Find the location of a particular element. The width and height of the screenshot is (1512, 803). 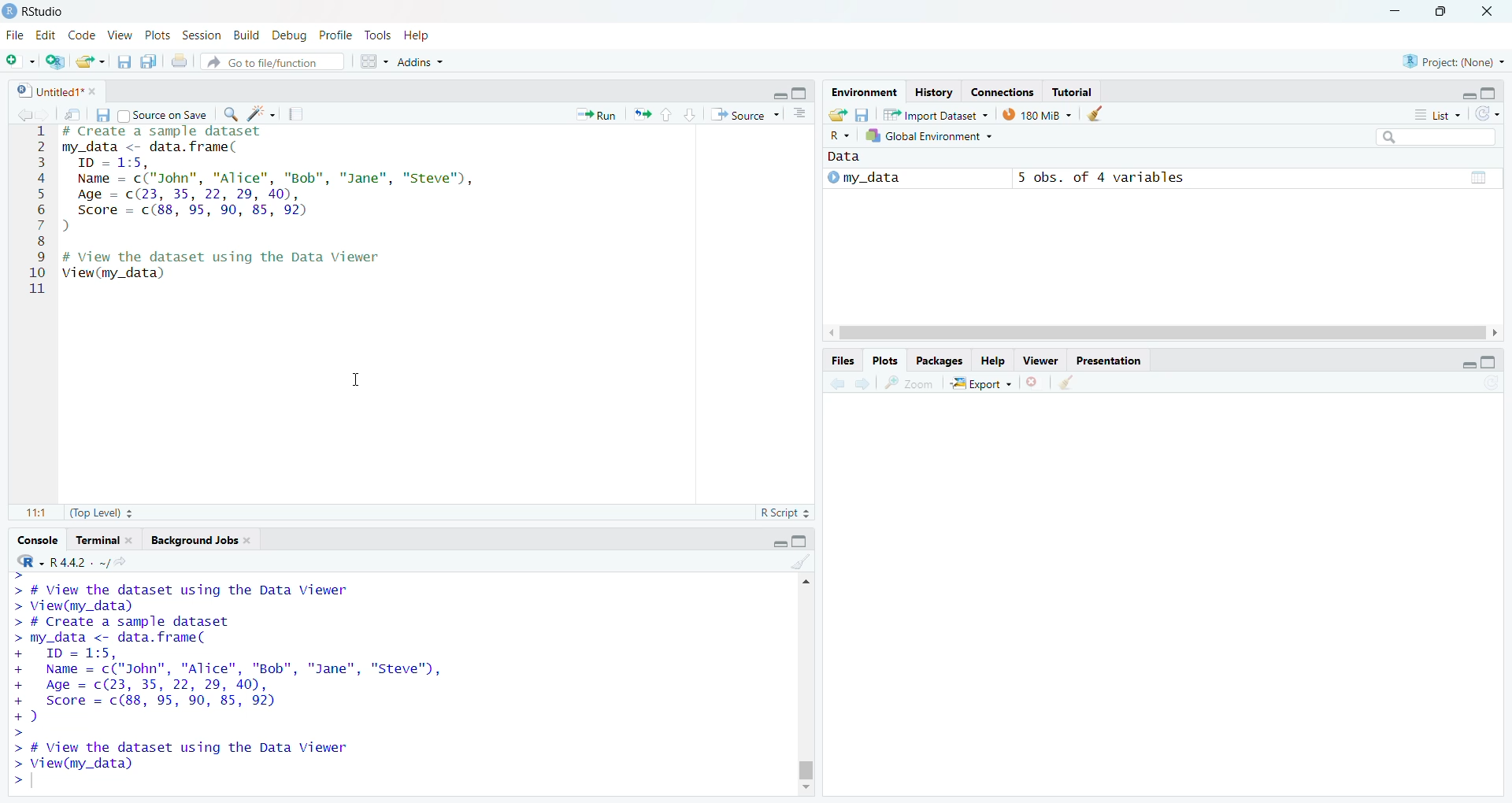

> # View the dataset using the Data Viewer
> View(my_data)

> # Create a sample dataset

> my_data <- data. frame(

+ ID = 1:5,

+ Name = c("John", "Alice", "Bob", "Jane", "Steve",
+ Age = c(23, 35, 22, 29, 40),

+ Score = c(88, 95, 90, 85, 92)

+)

>

> # View the dataset using the Data Viewer
> View(my_data)

> is located at coordinates (244, 680).